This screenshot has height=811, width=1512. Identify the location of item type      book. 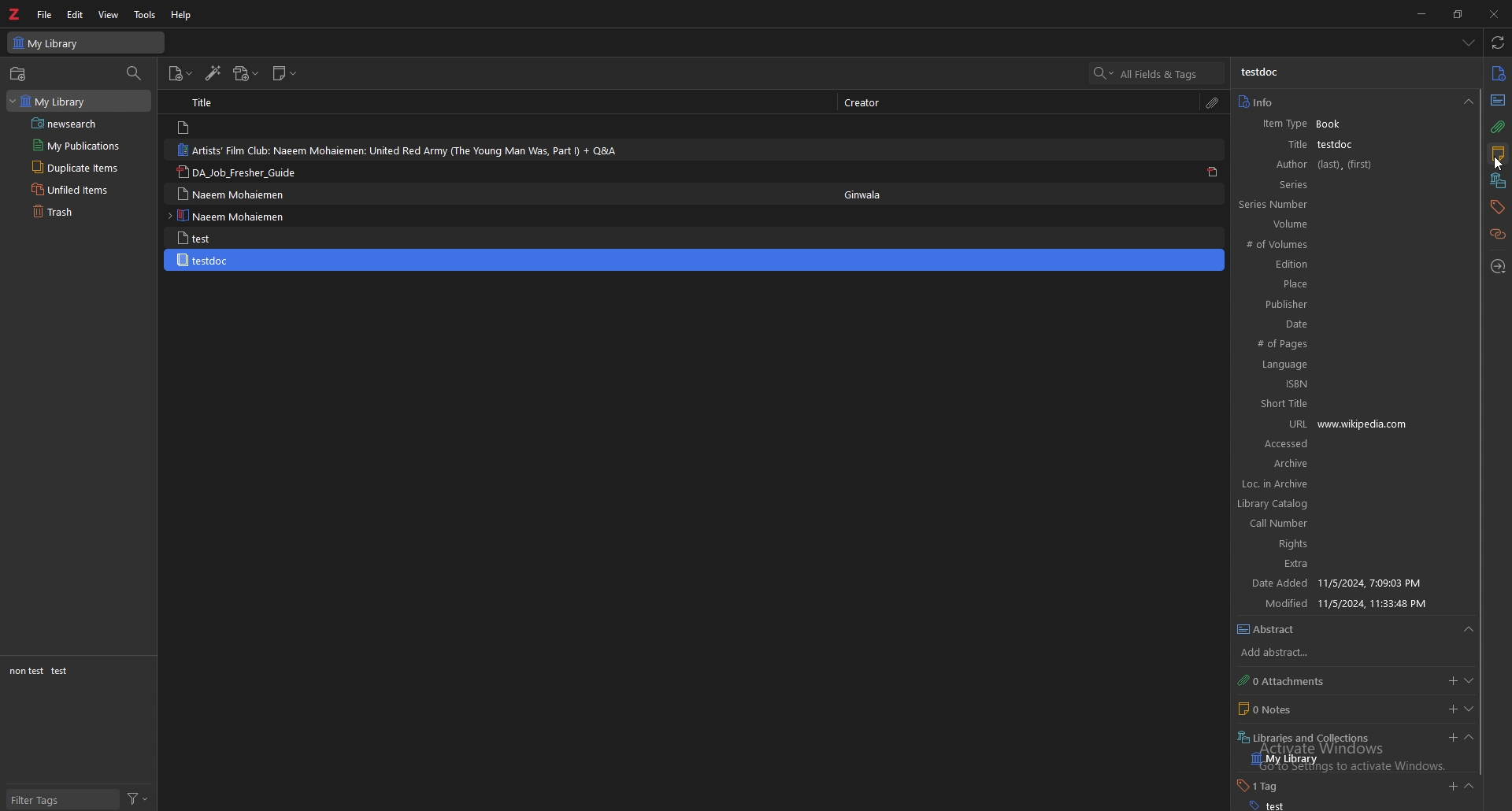
(1318, 124).